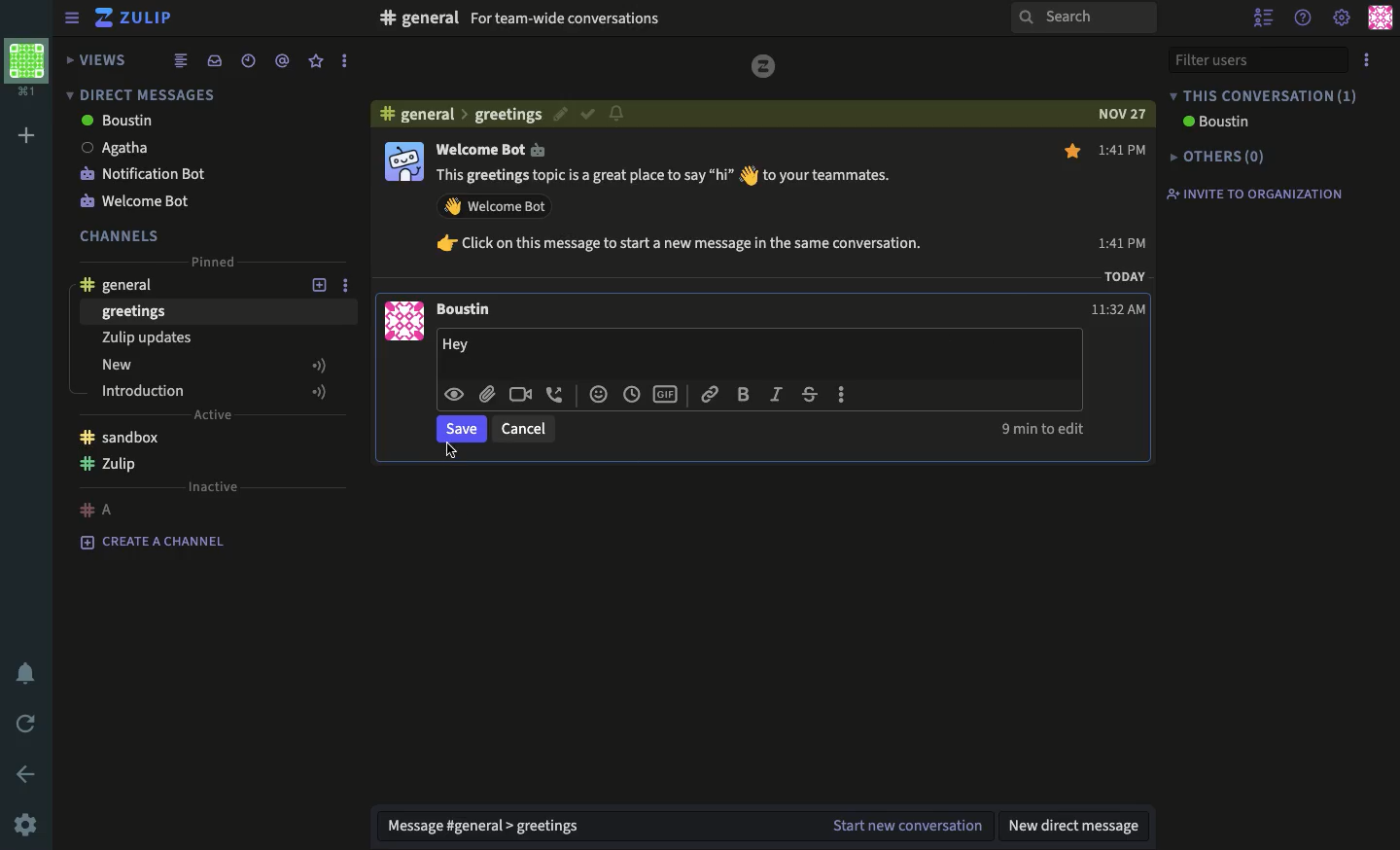  I want to click on create a channel, so click(159, 543).